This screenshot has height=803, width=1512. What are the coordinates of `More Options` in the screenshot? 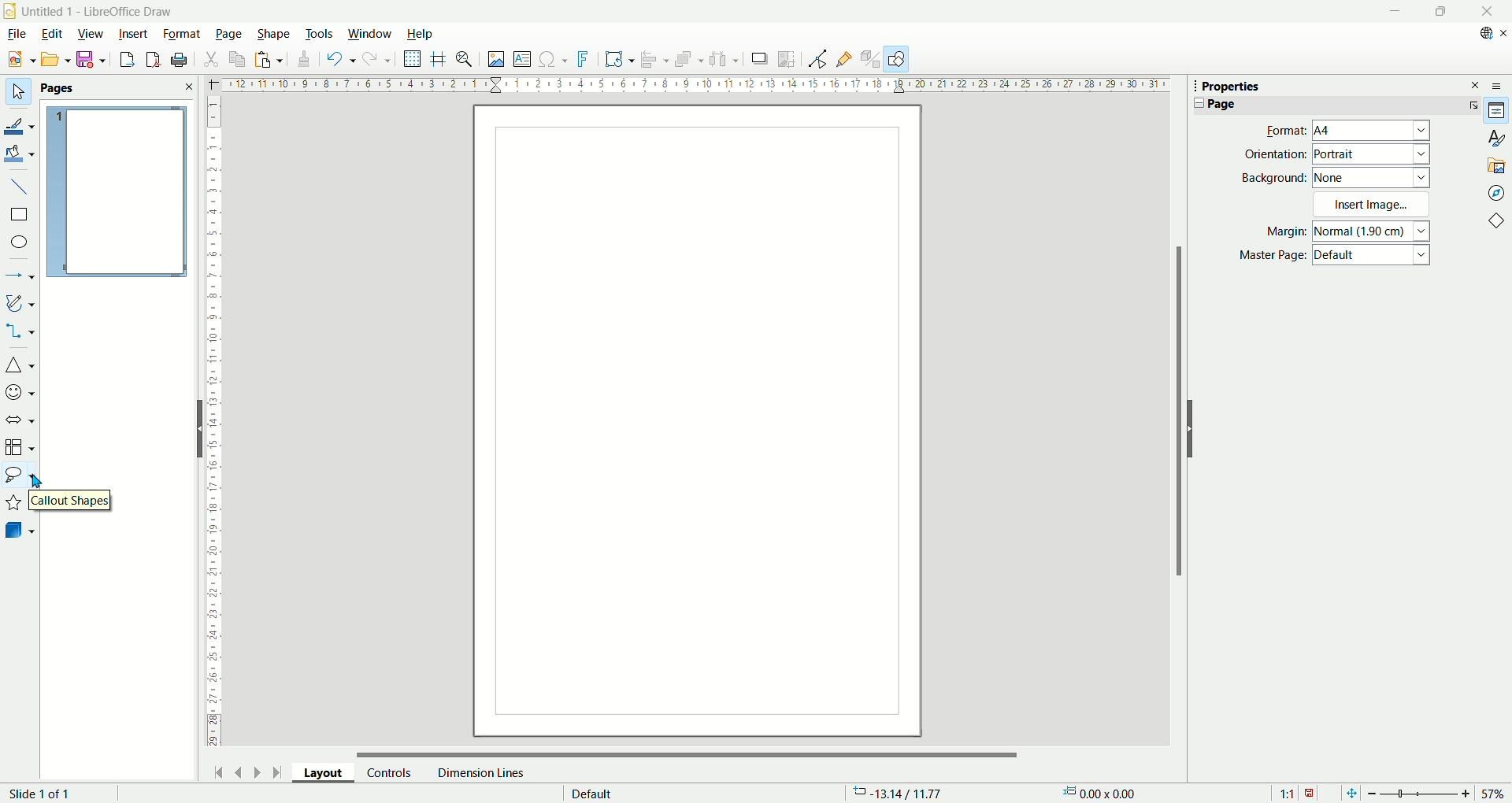 It's located at (1470, 105).